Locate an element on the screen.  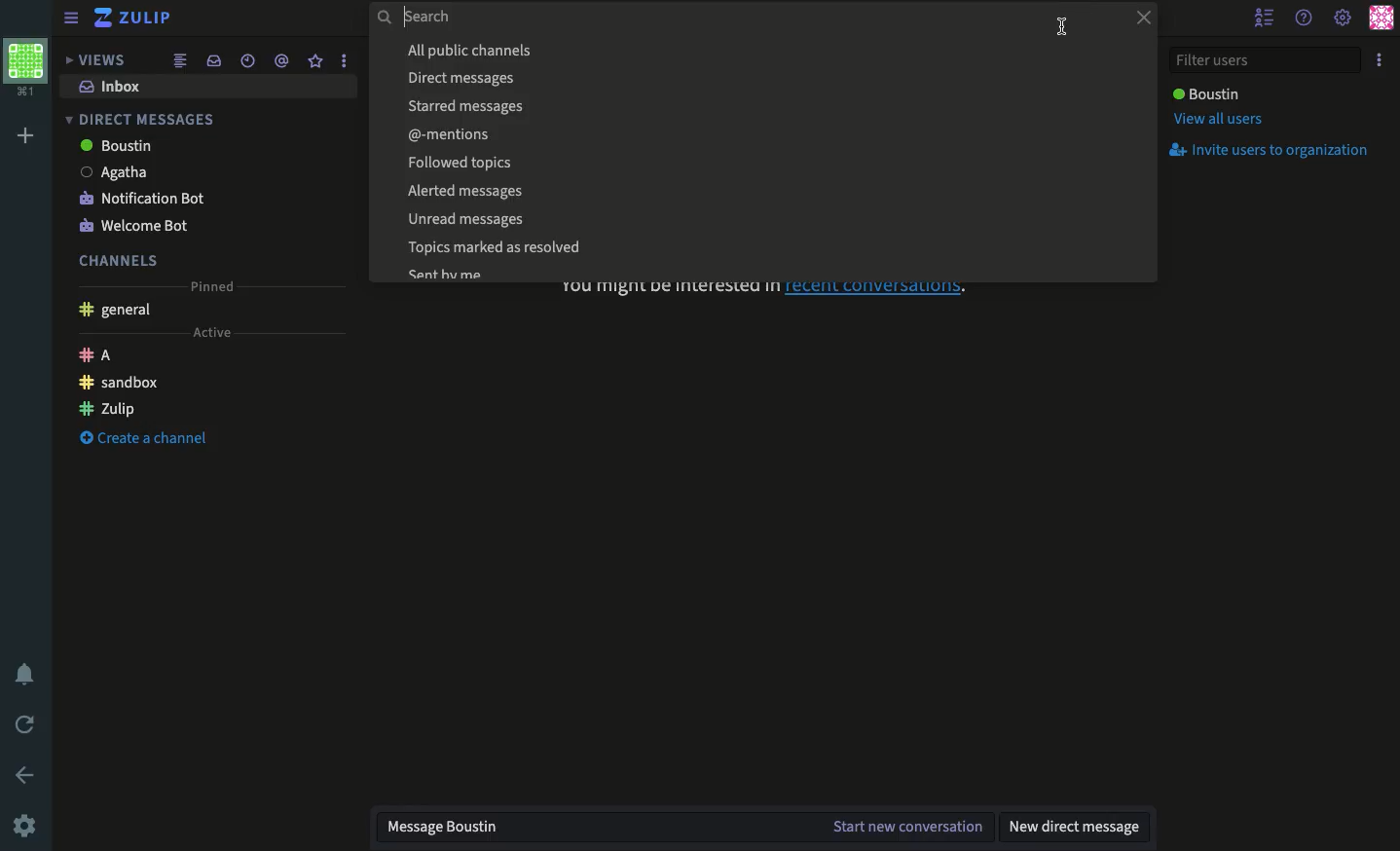
Create a channe is located at coordinates (144, 438).